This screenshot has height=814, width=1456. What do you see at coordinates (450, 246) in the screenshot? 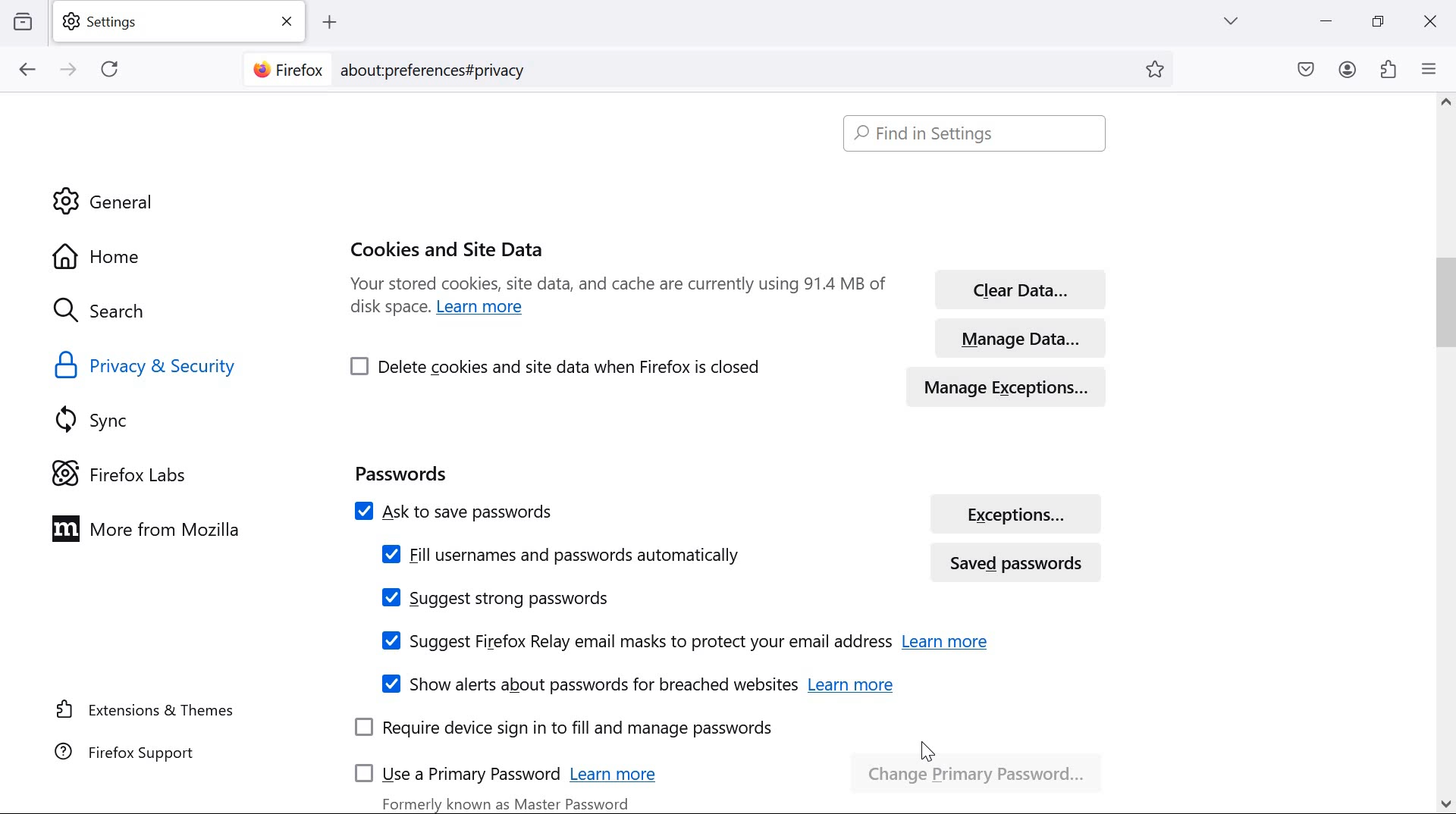
I see `Cookies and Site Data` at bounding box center [450, 246].